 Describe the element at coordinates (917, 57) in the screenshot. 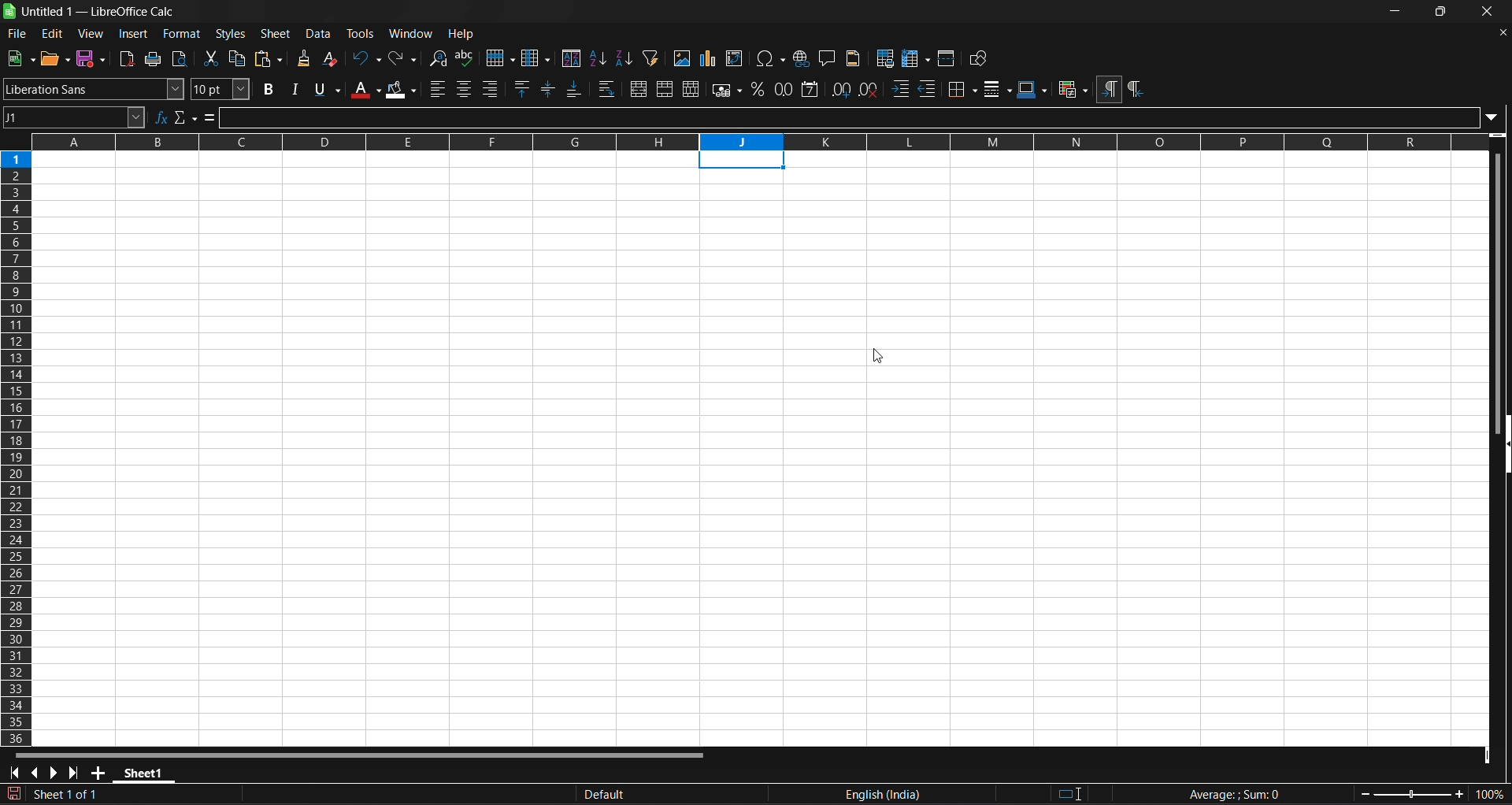

I see `freeze rows and columns` at that location.